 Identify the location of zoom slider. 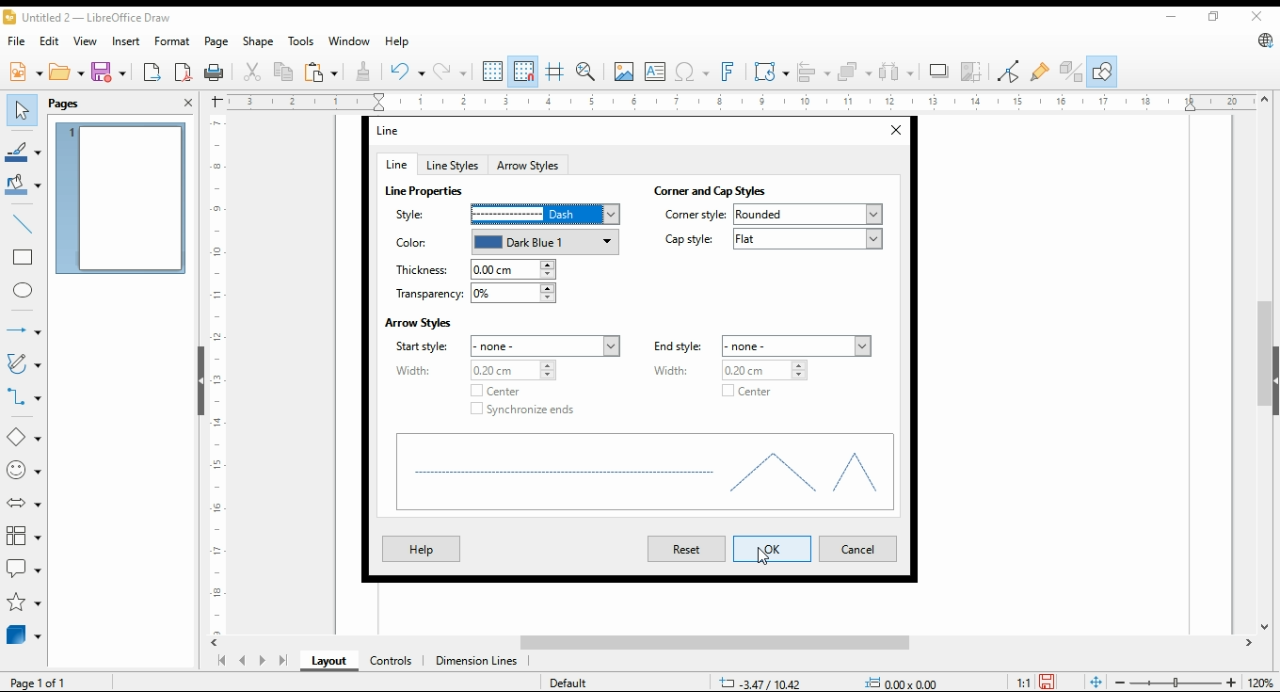
(1173, 682).